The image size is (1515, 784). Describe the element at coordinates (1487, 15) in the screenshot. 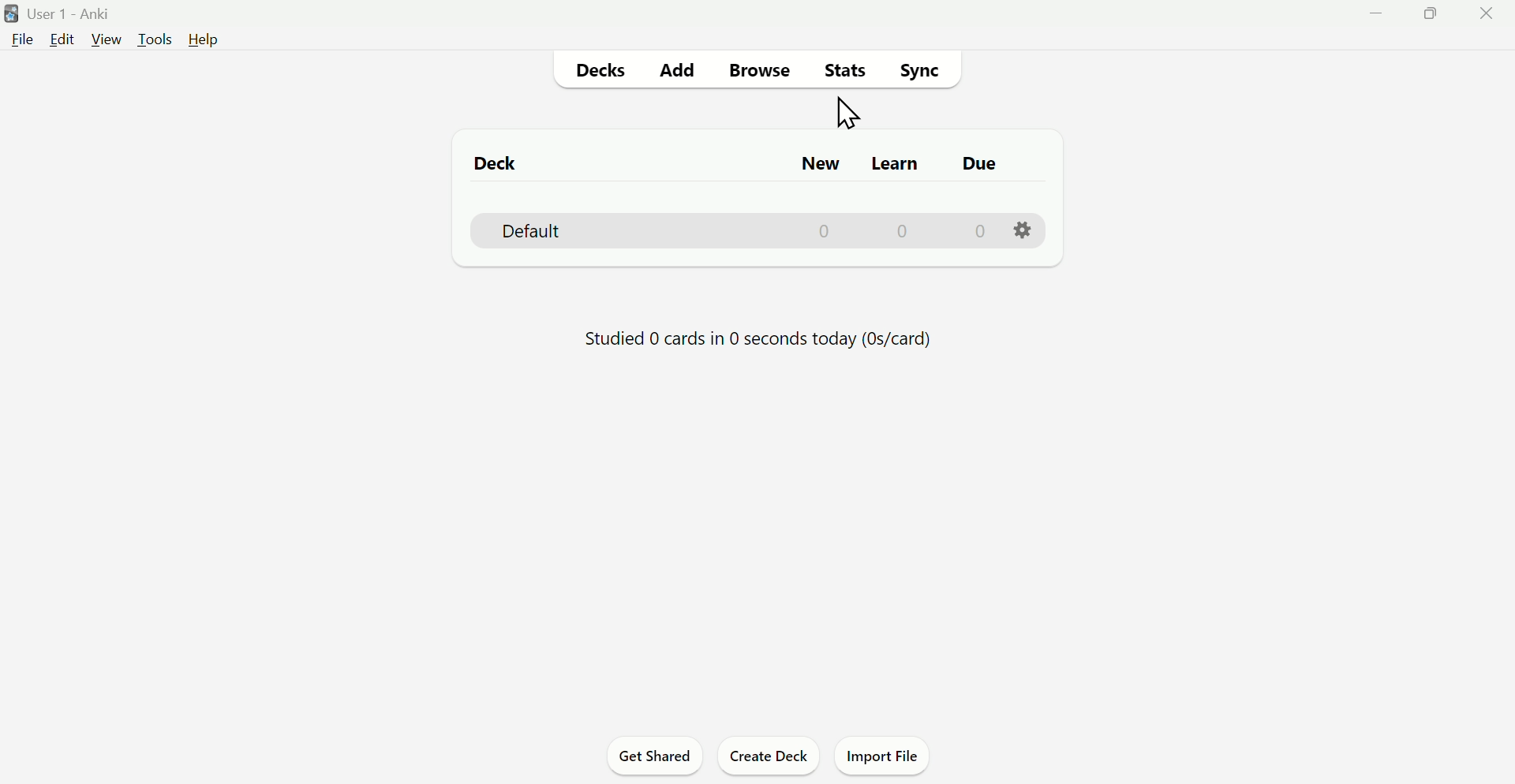

I see `Close` at that location.